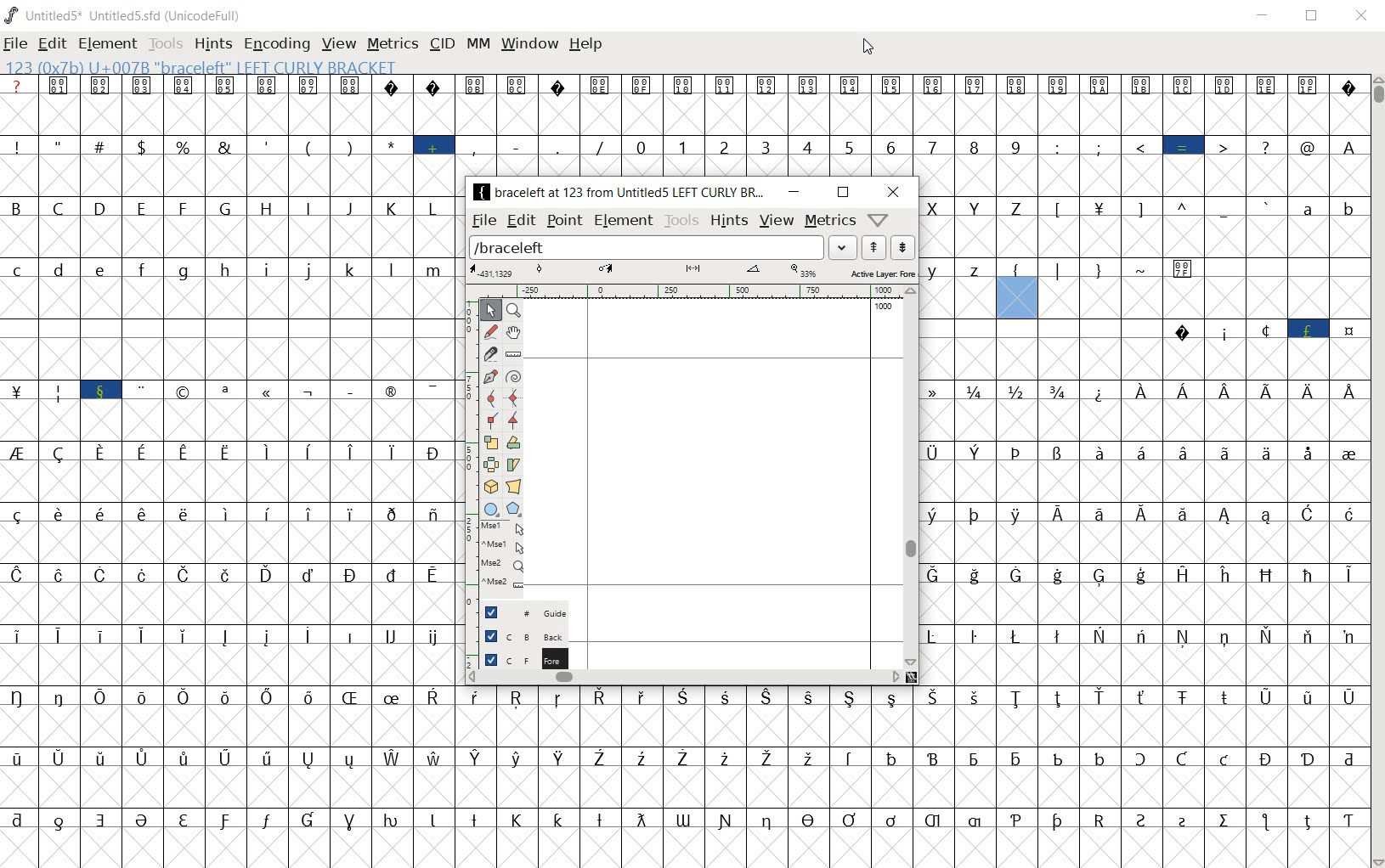 This screenshot has height=868, width=1385. Describe the element at coordinates (869, 47) in the screenshot. I see `cursor` at that location.